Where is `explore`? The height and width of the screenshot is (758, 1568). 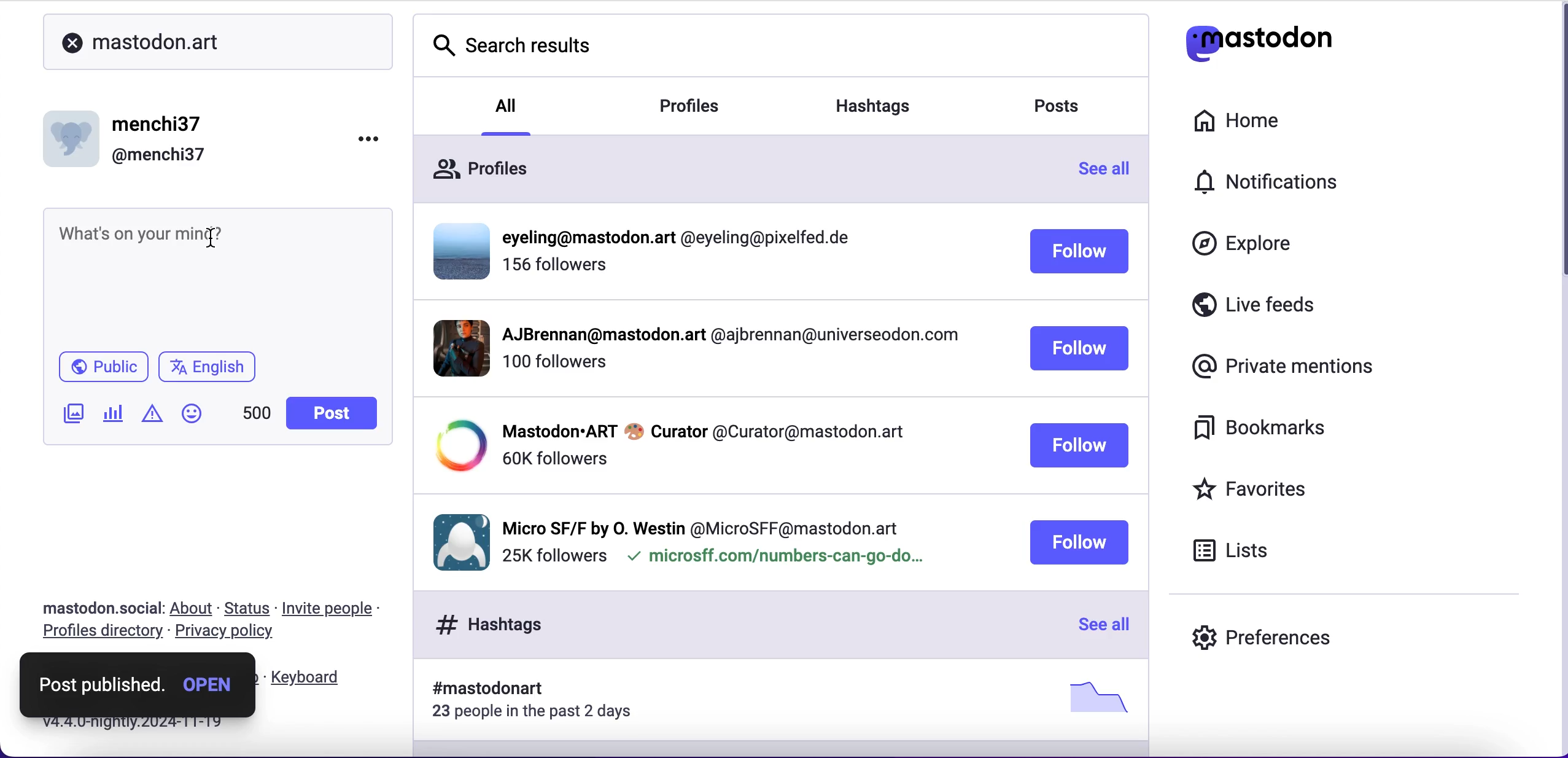 explore is located at coordinates (1246, 249).